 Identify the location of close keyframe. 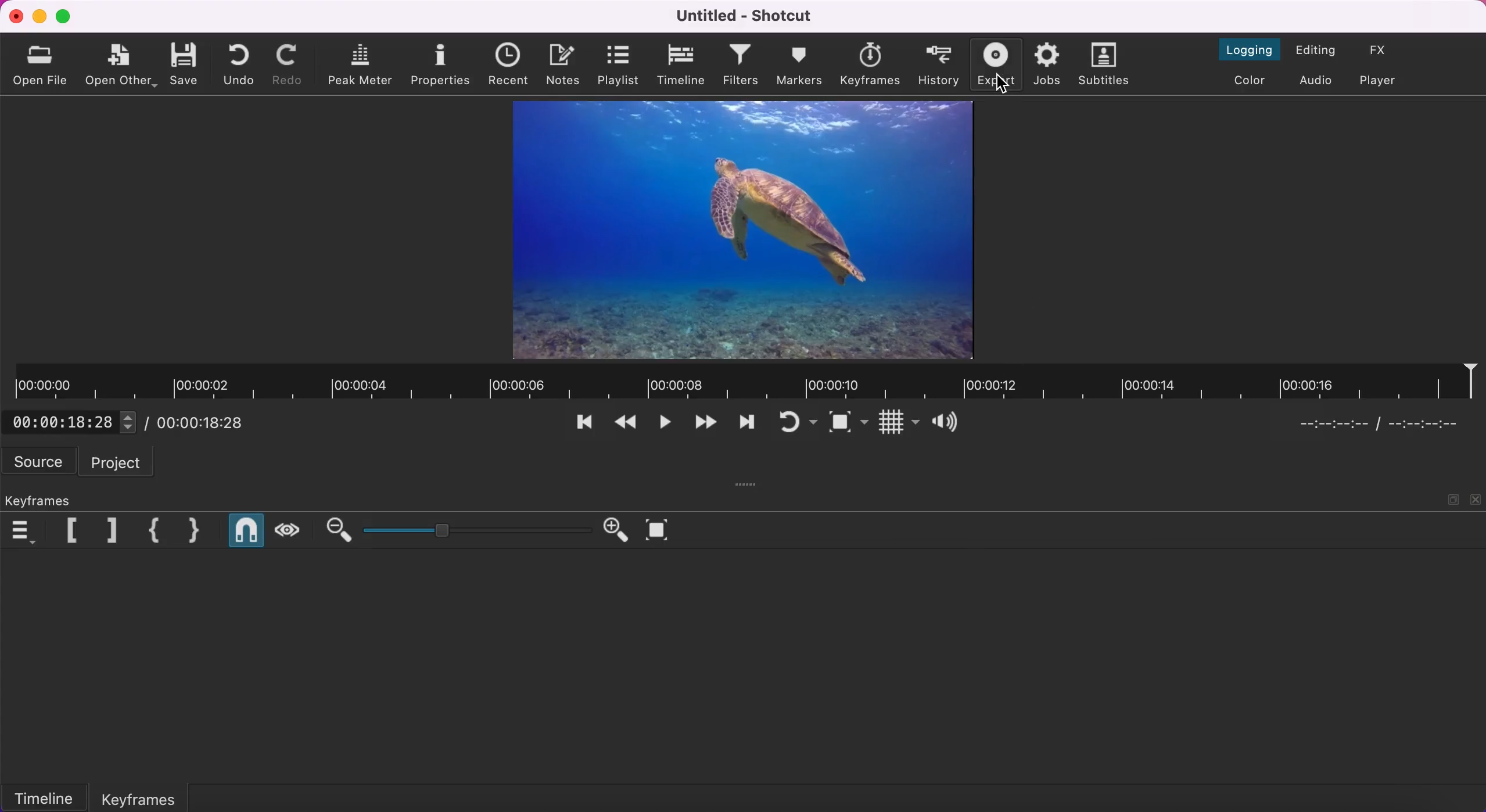
(196, 531).